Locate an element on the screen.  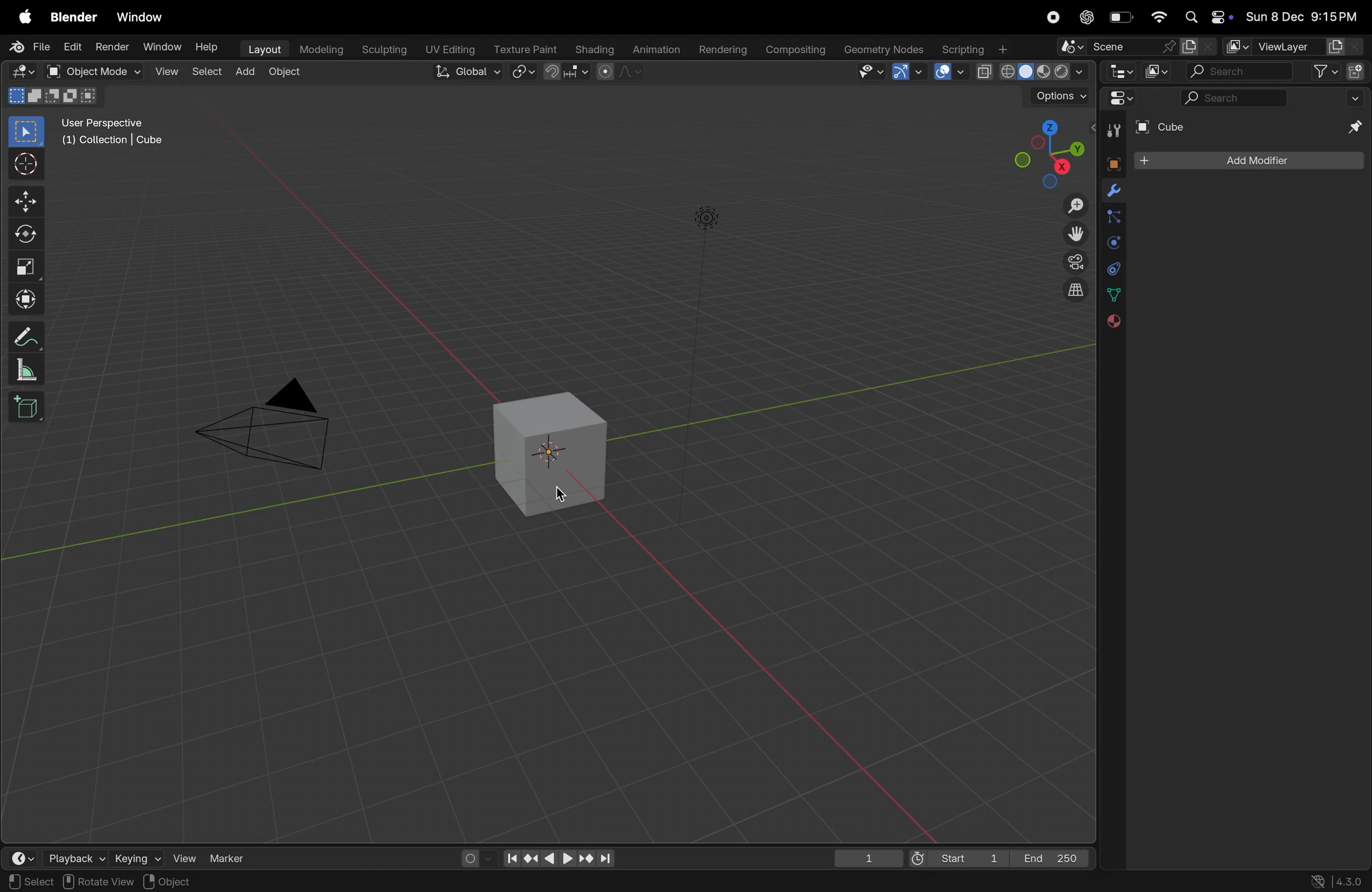
object mode is located at coordinates (105, 72).